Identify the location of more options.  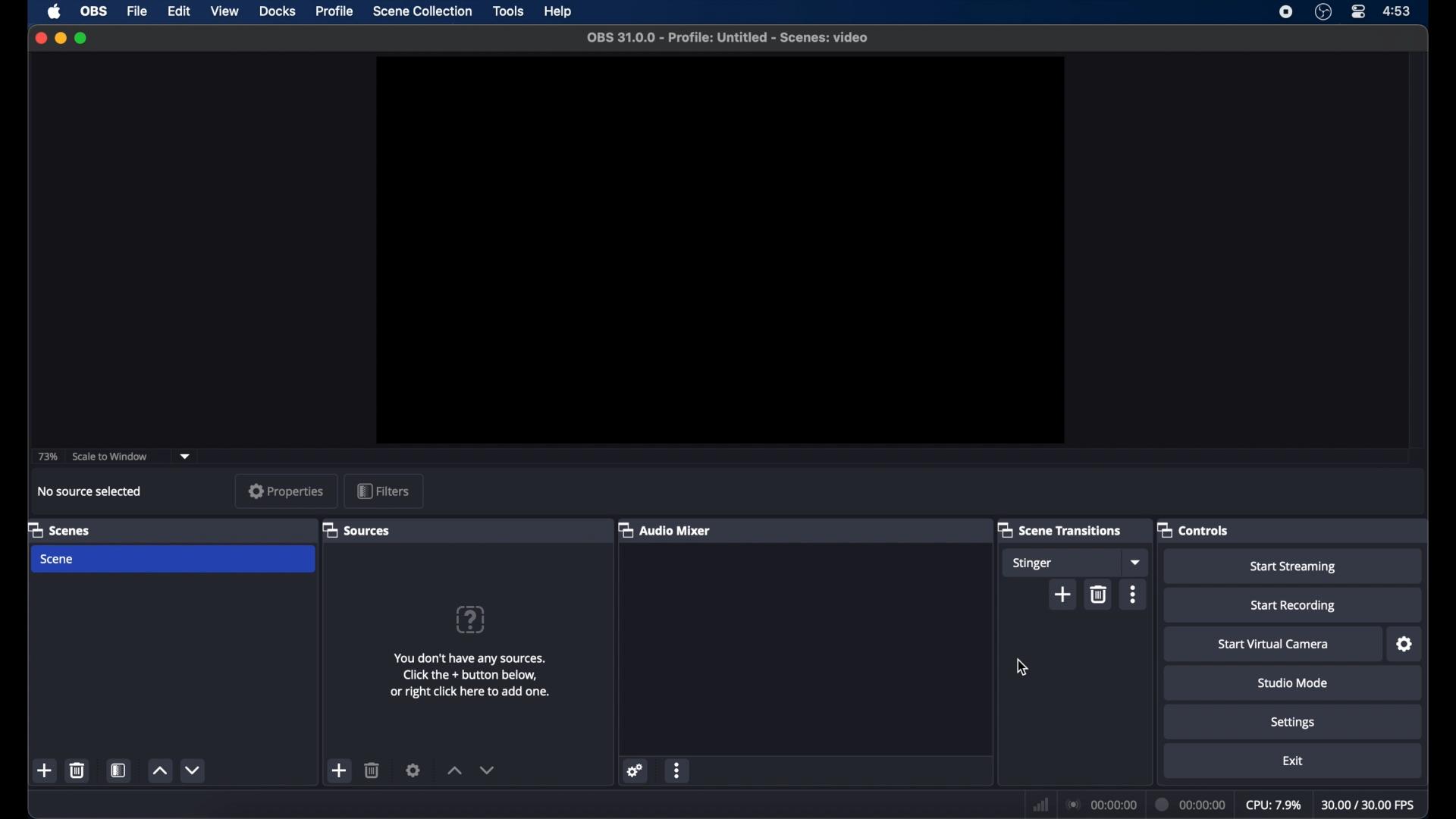
(679, 771).